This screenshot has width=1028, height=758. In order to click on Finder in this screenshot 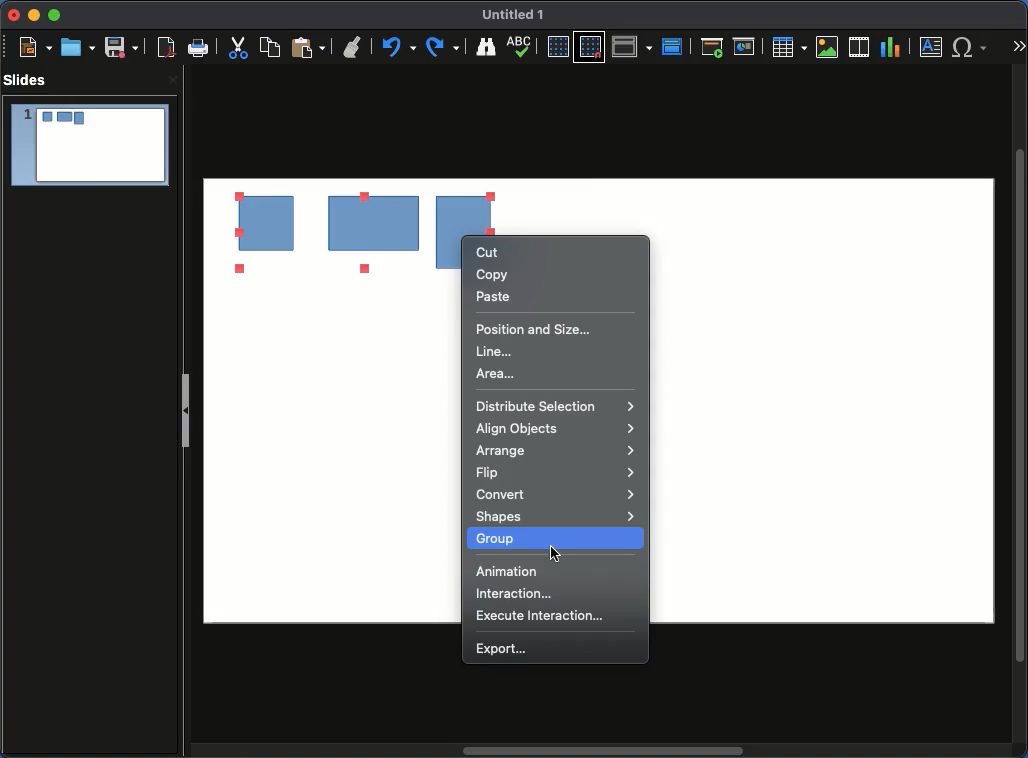, I will do `click(487, 47)`.